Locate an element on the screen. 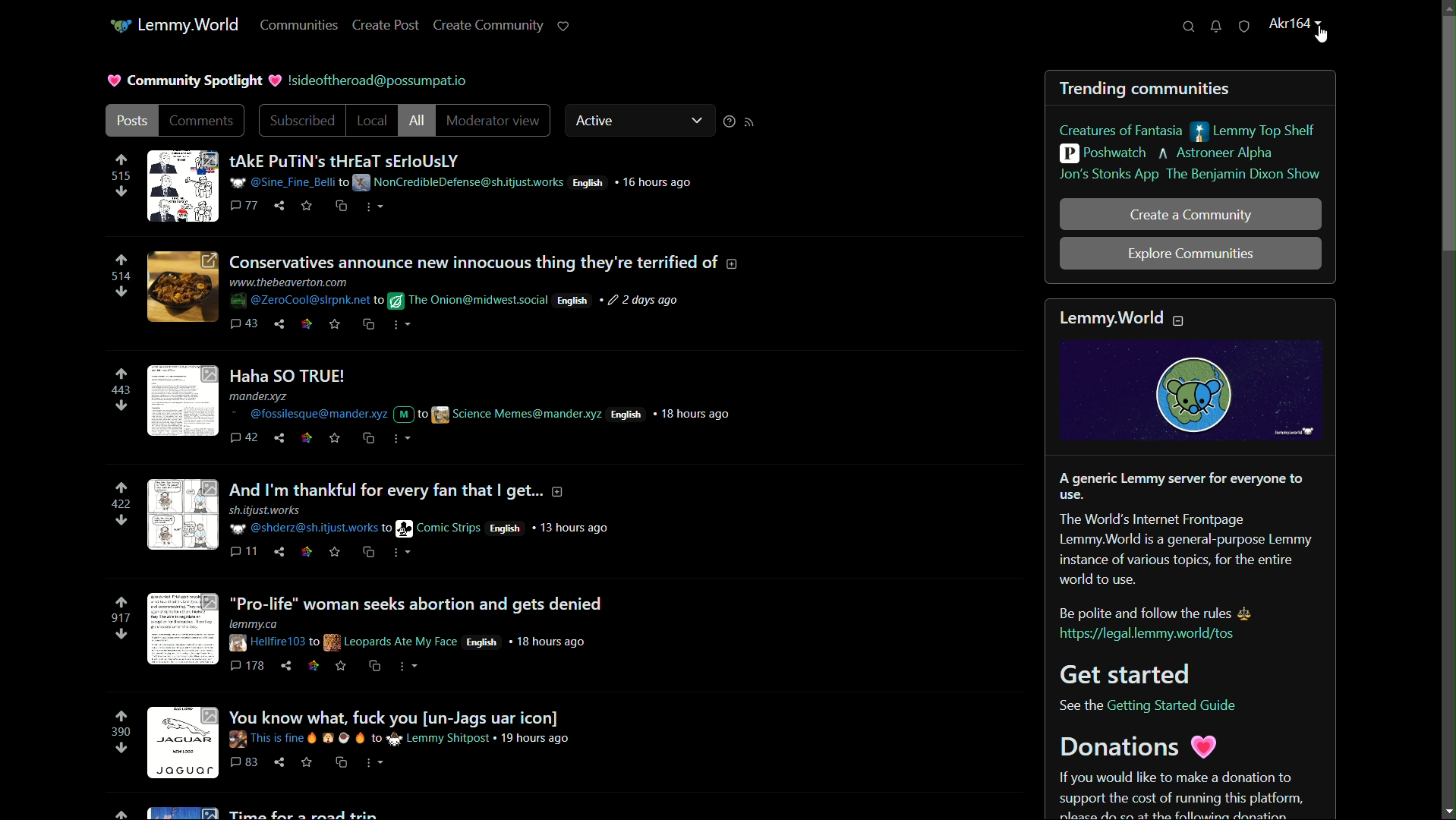 Image resolution: width=1456 pixels, height=820 pixels. the benjamin dixon show is located at coordinates (1243, 175).